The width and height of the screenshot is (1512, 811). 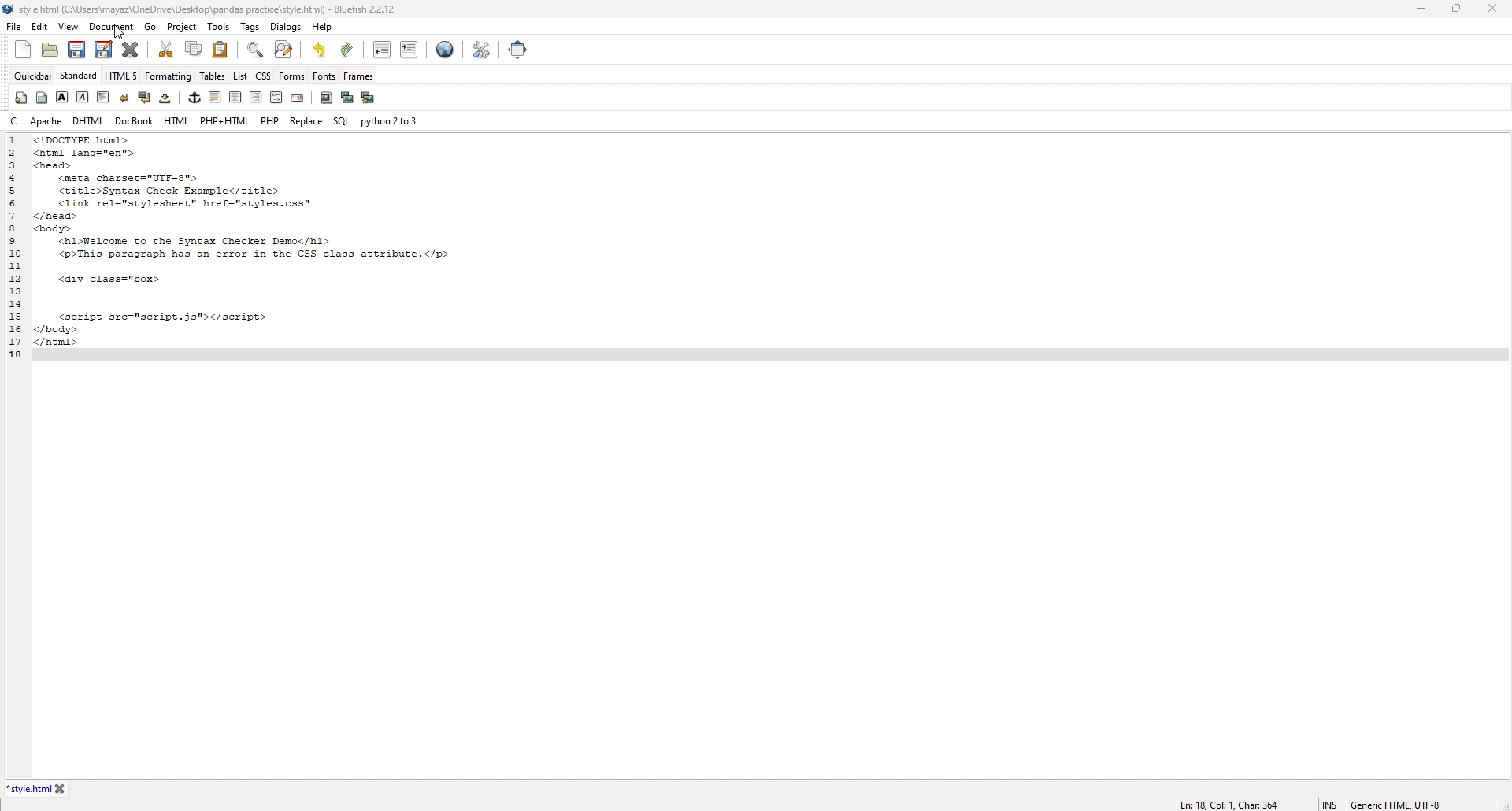 What do you see at coordinates (1398, 804) in the screenshot?
I see `encoding` at bounding box center [1398, 804].